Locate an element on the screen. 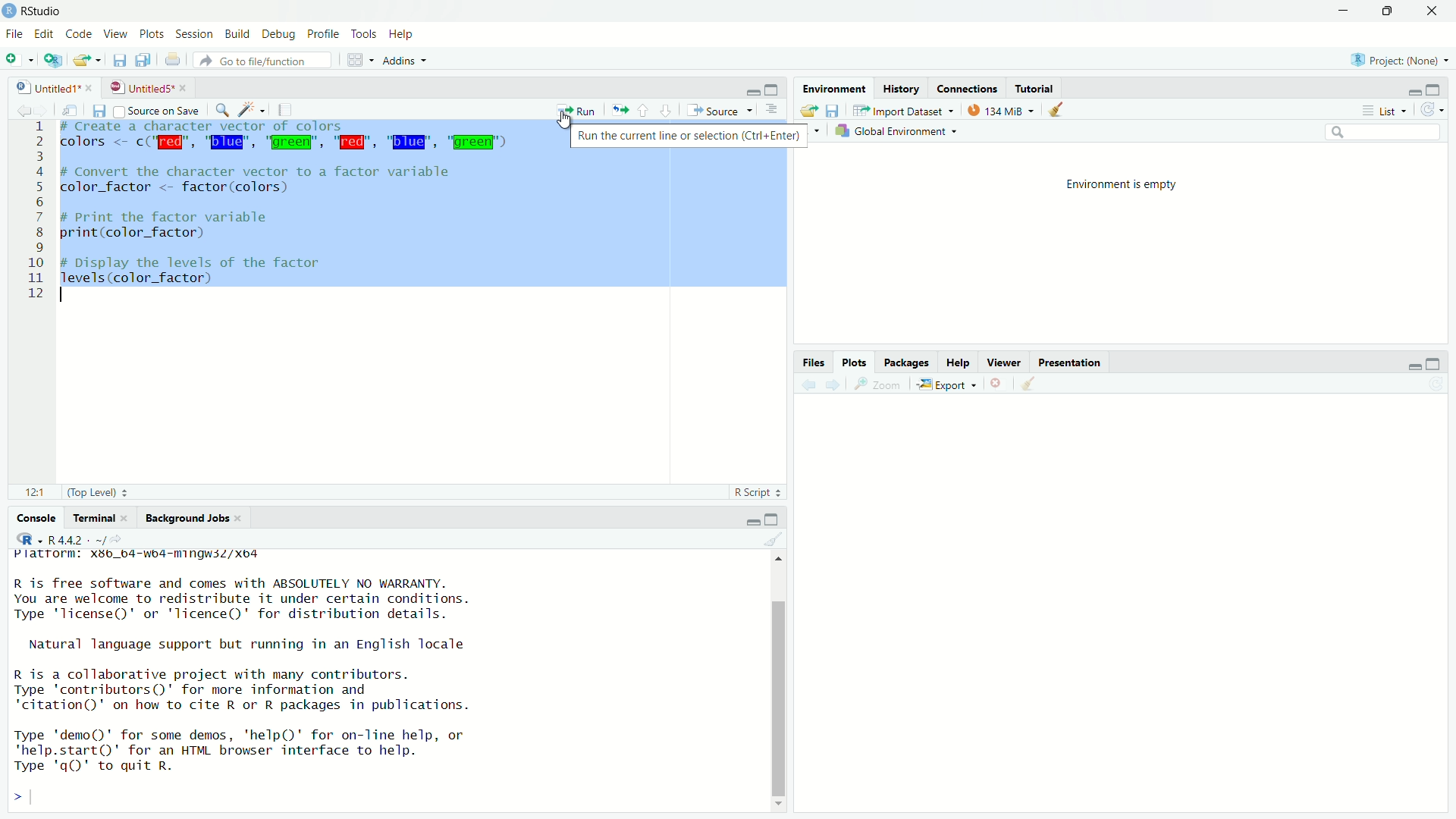 This screenshot has height=819, width=1456. search field is located at coordinates (1387, 134).